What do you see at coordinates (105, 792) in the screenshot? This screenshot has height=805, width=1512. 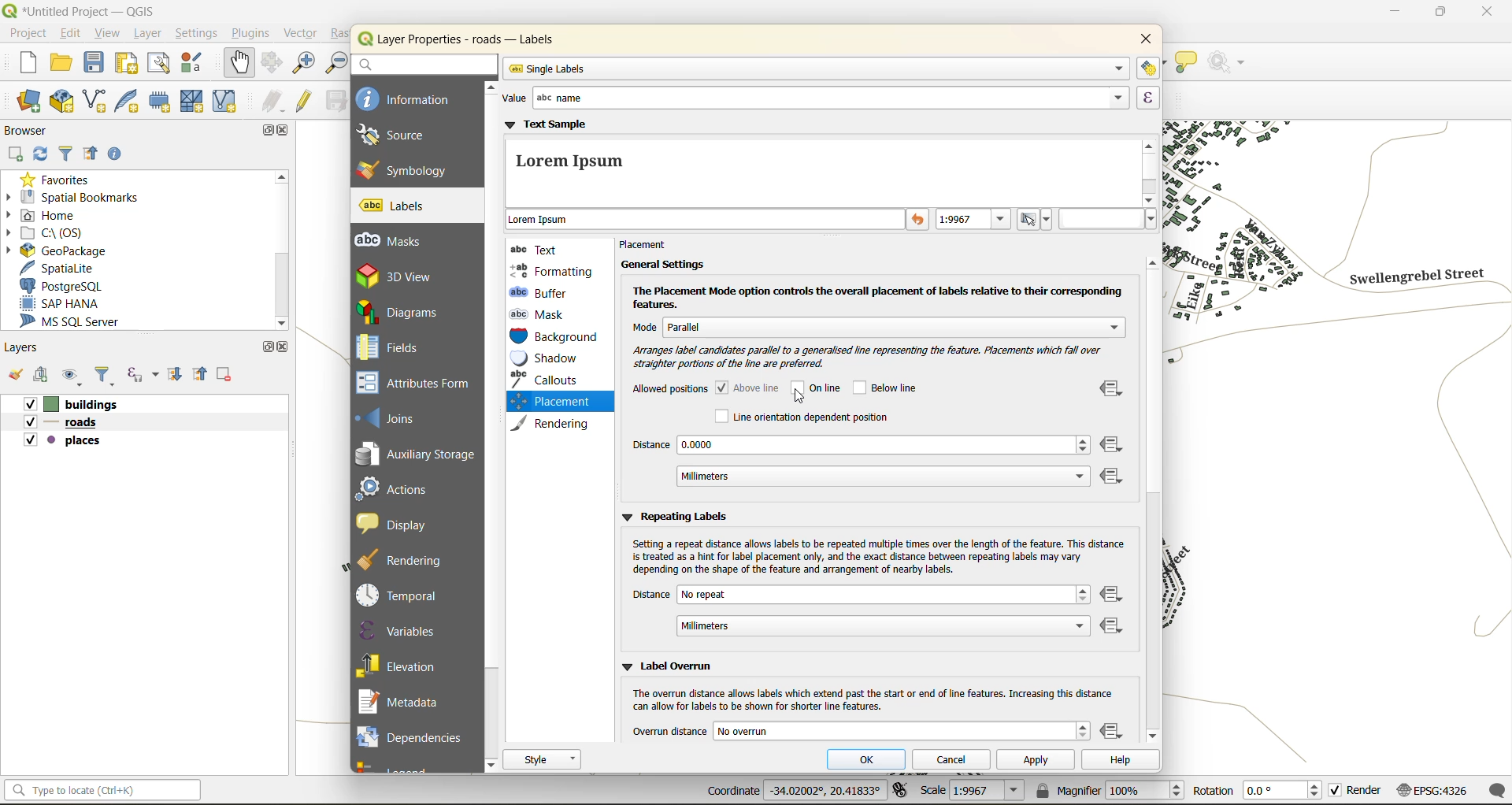 I see `status bar` at bounding box center [105, 792].